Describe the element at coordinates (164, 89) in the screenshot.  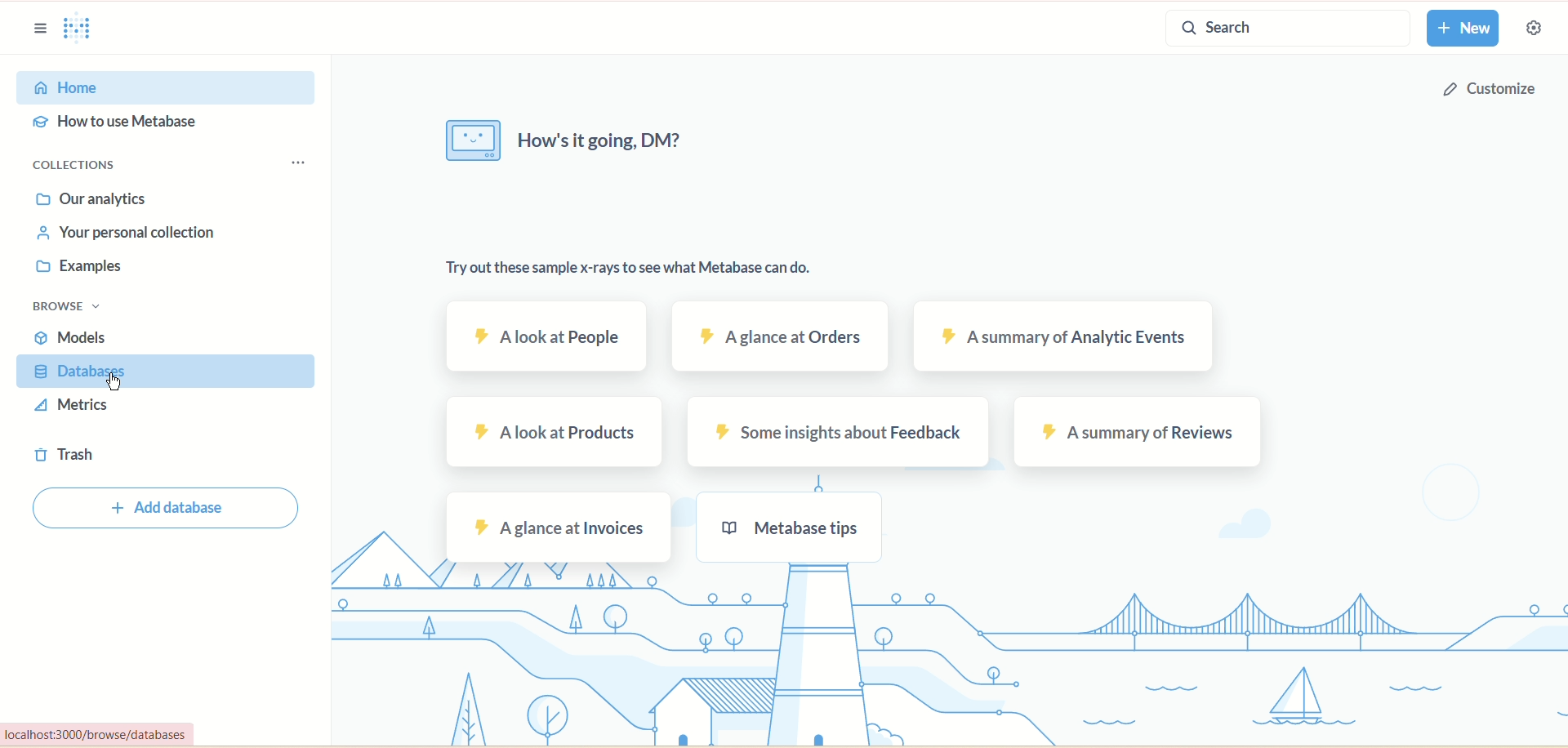
I see `home` at that location.